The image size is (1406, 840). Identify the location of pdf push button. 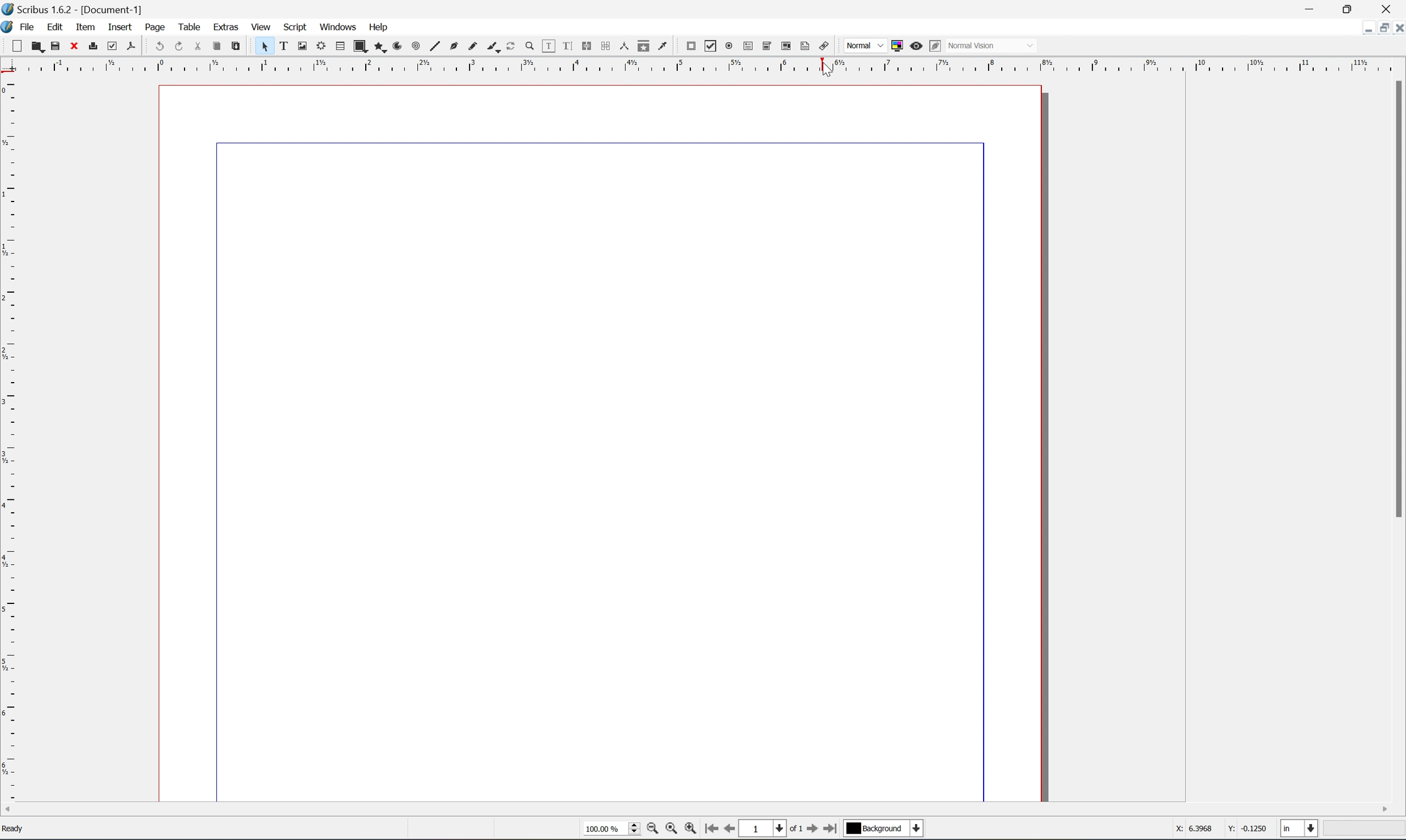
(691, 46).